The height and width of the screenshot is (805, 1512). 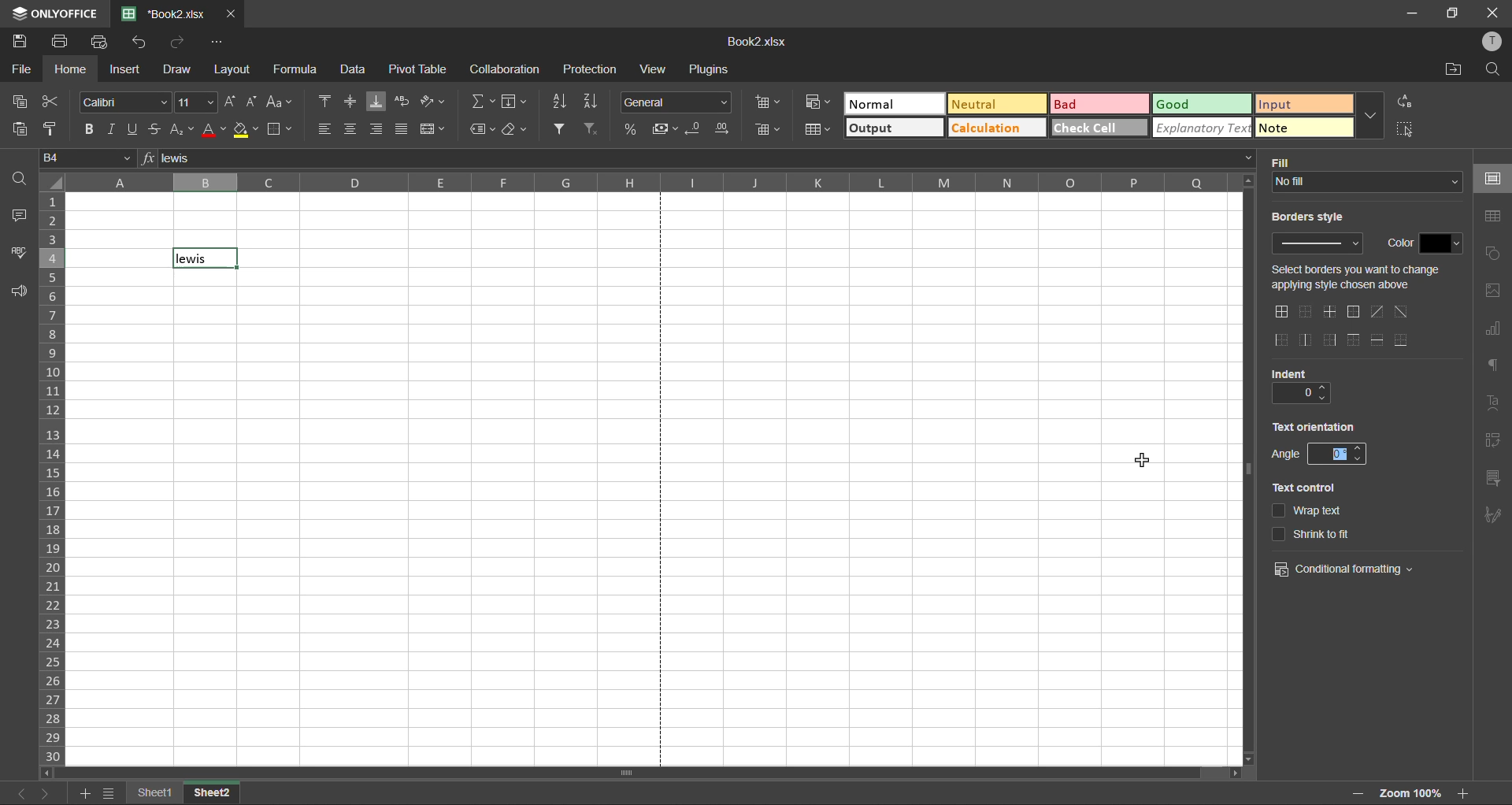 What do you see at coordinates (85, 131) in the screenshot?
I see `bold` at bounding box center [85, 131].